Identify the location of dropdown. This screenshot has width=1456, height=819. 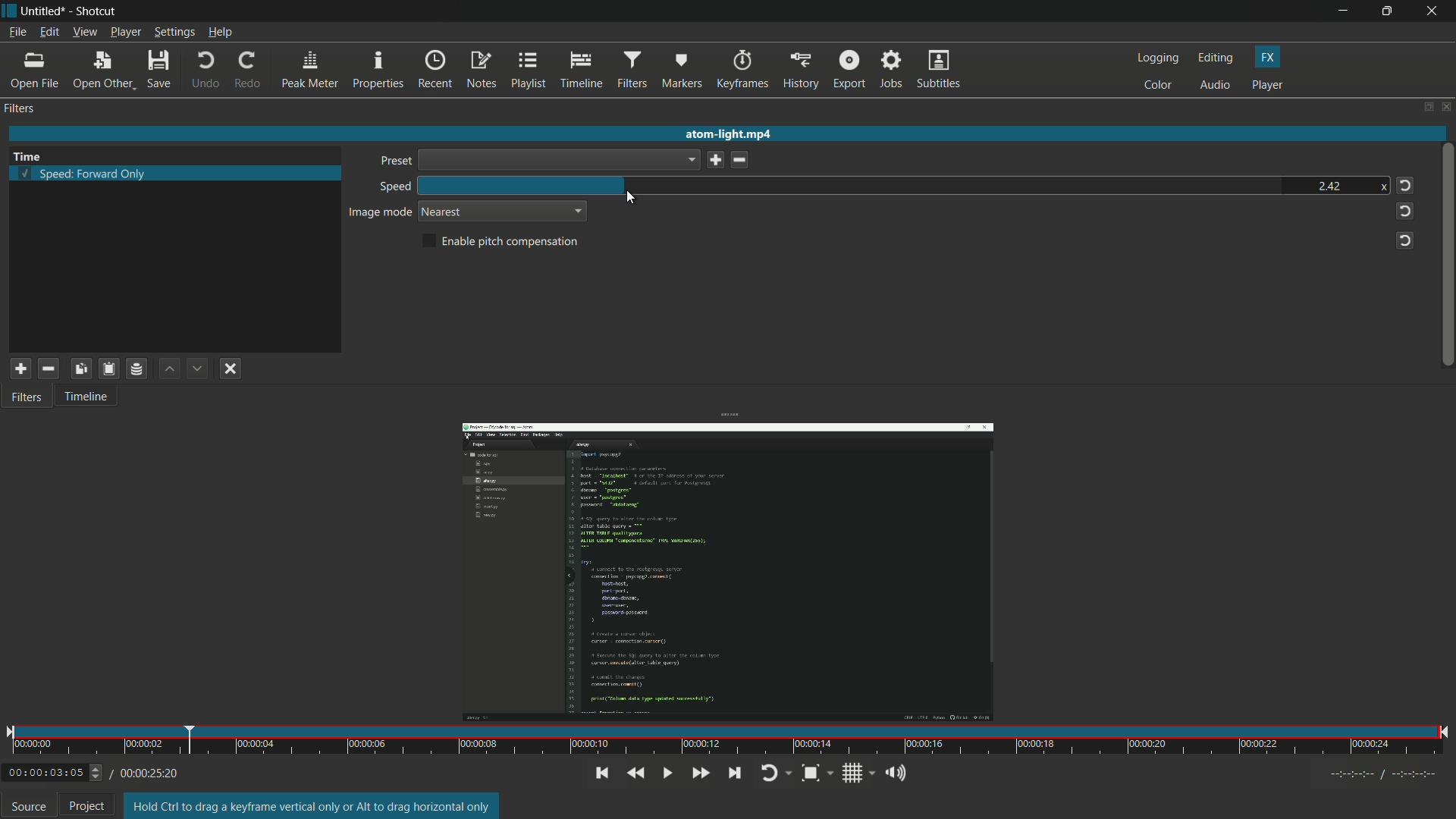
(559, 160).